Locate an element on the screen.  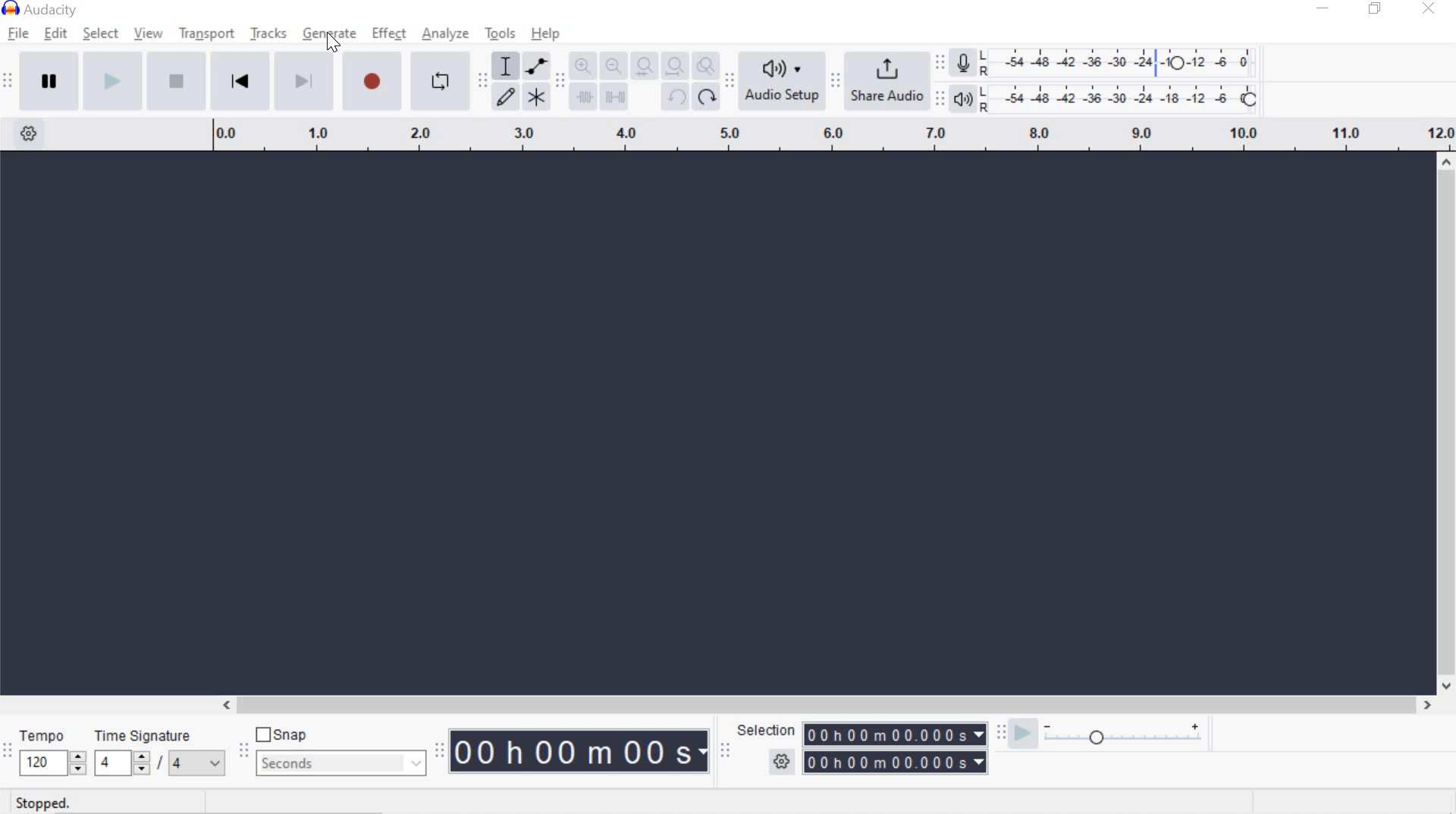
tools is located at coordinates (500, 35).